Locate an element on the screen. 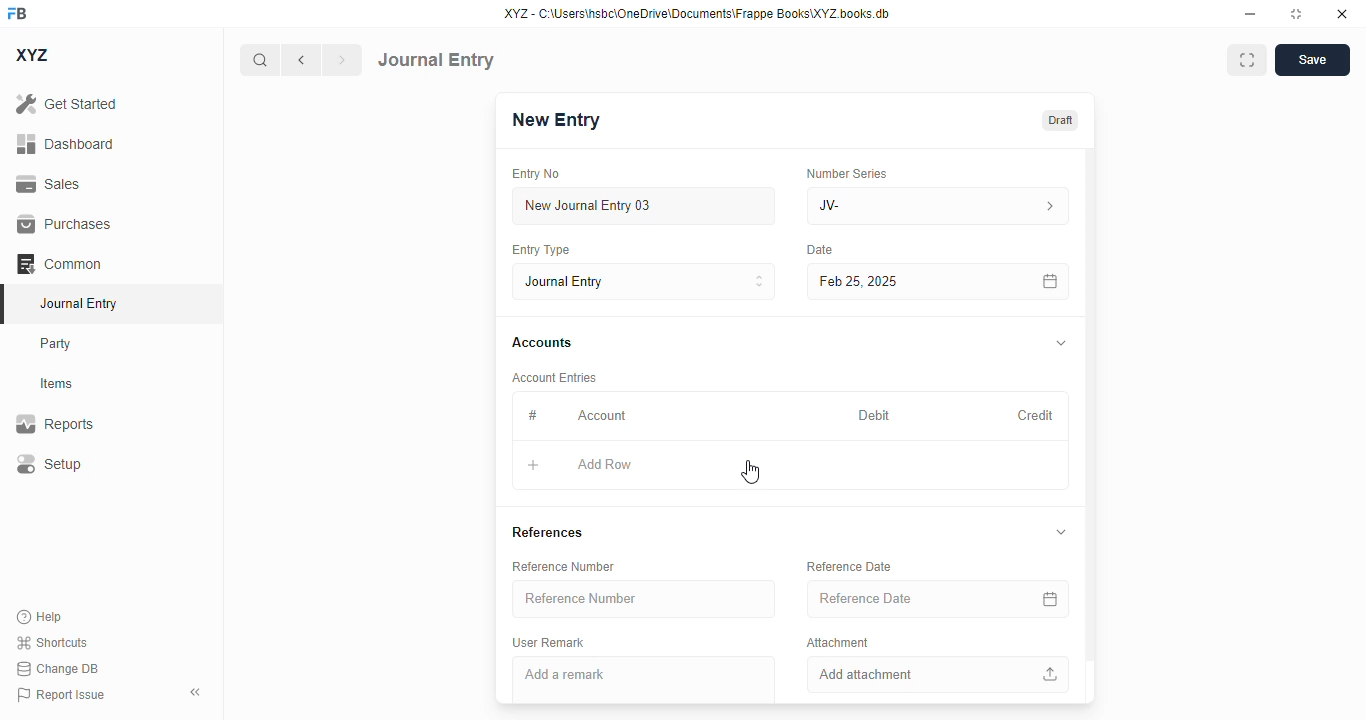 This screenshot has height=720, width=1366. entry type is located at coordinates (539, 249).